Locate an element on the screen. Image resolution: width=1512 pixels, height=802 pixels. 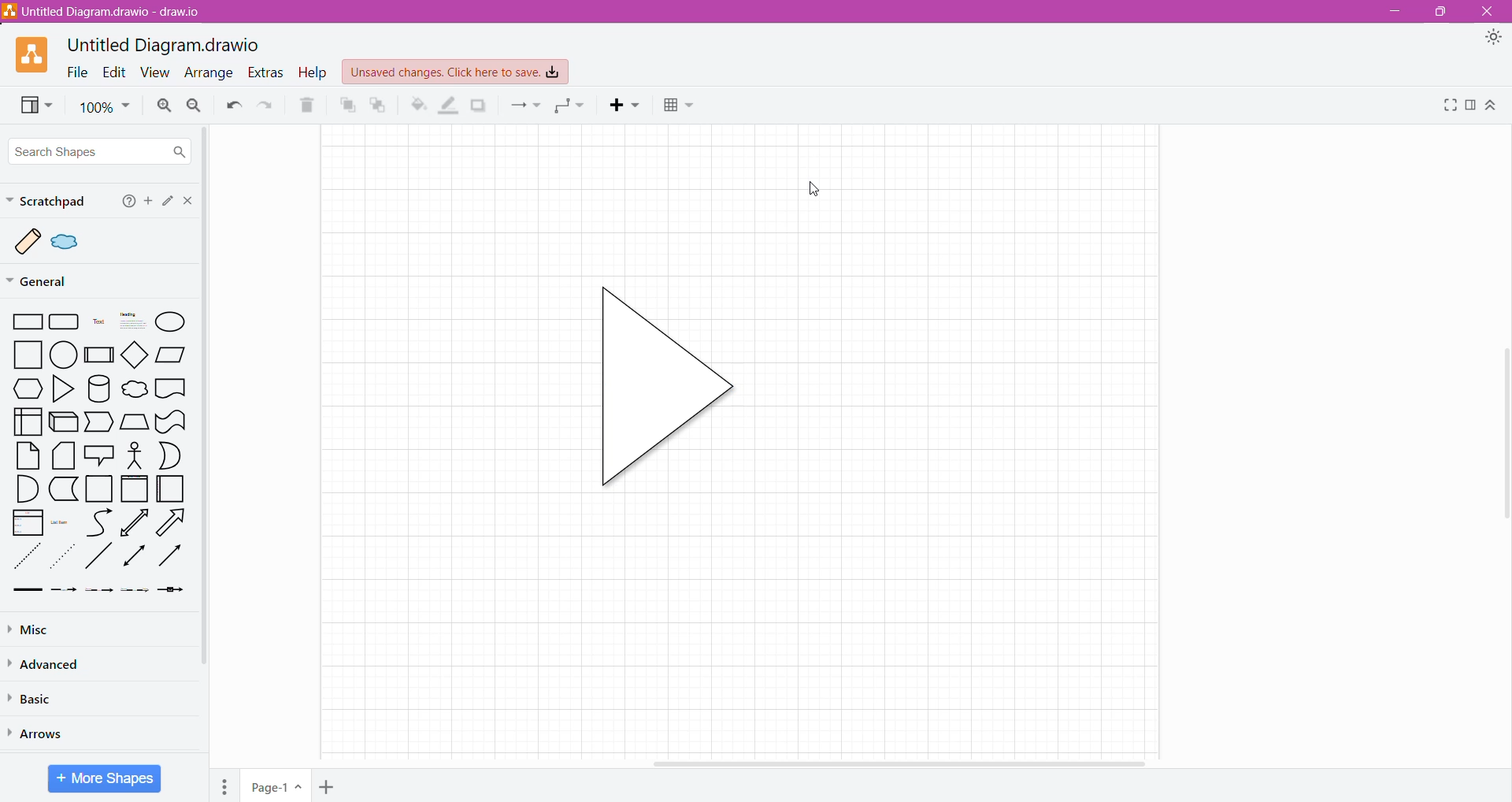
Line Color is located at coordinates (449, 106).